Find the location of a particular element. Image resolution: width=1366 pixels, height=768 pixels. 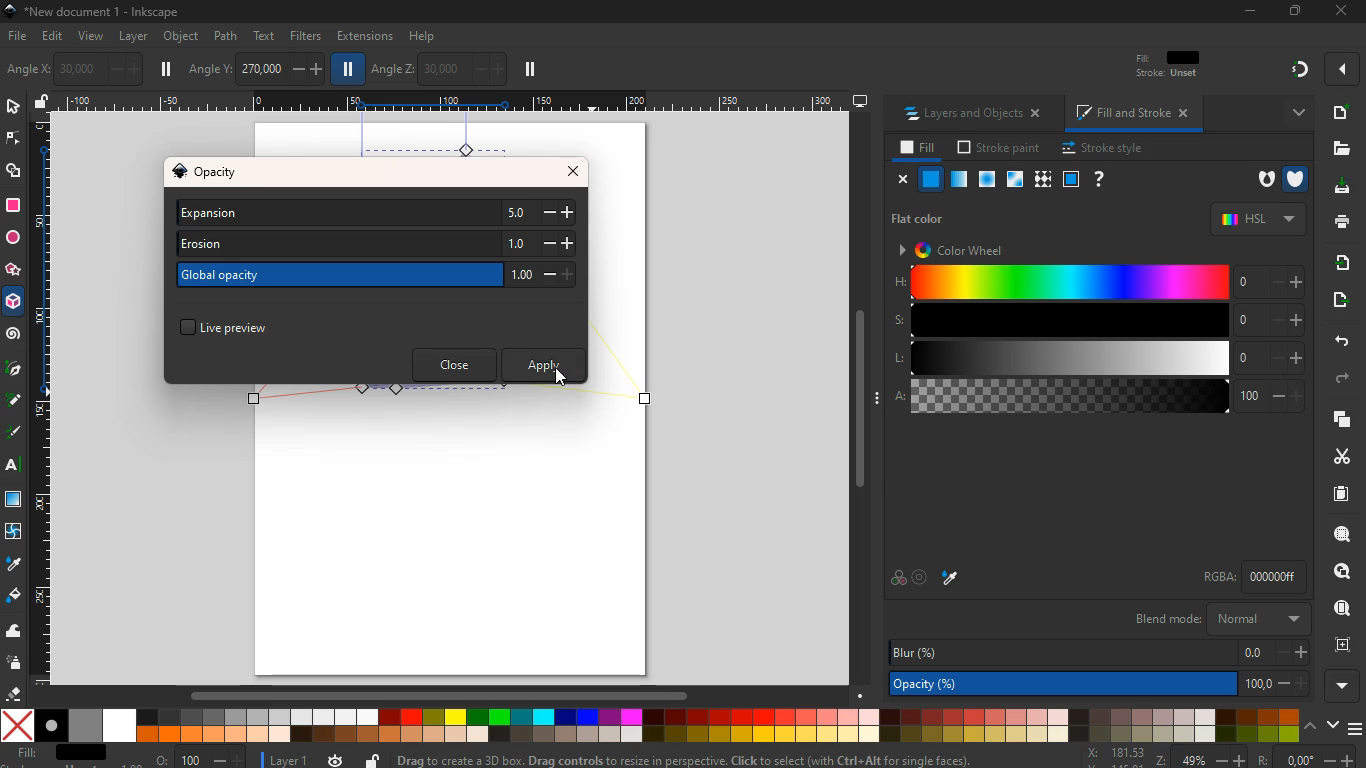

edit is located at coordinates (57, 38).